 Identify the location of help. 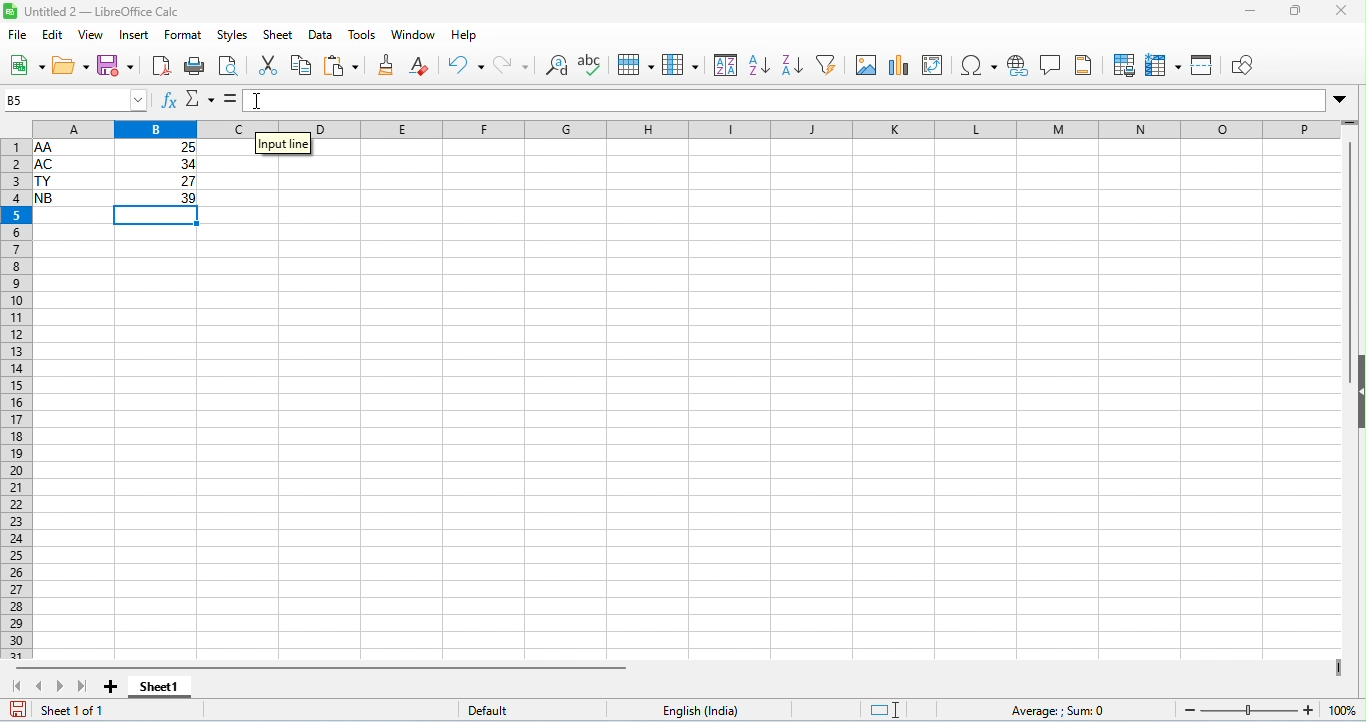
(464, 36).